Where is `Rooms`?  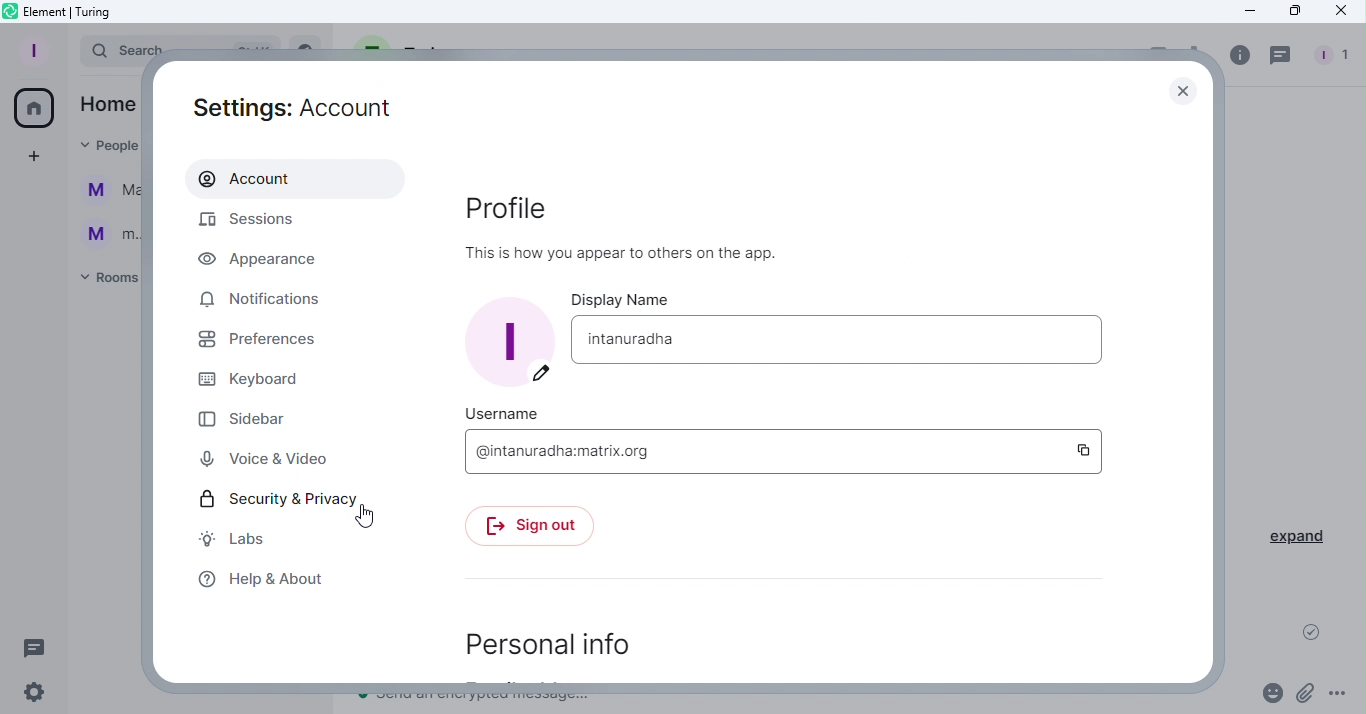
Rooms is located at coordinates (106, 280).